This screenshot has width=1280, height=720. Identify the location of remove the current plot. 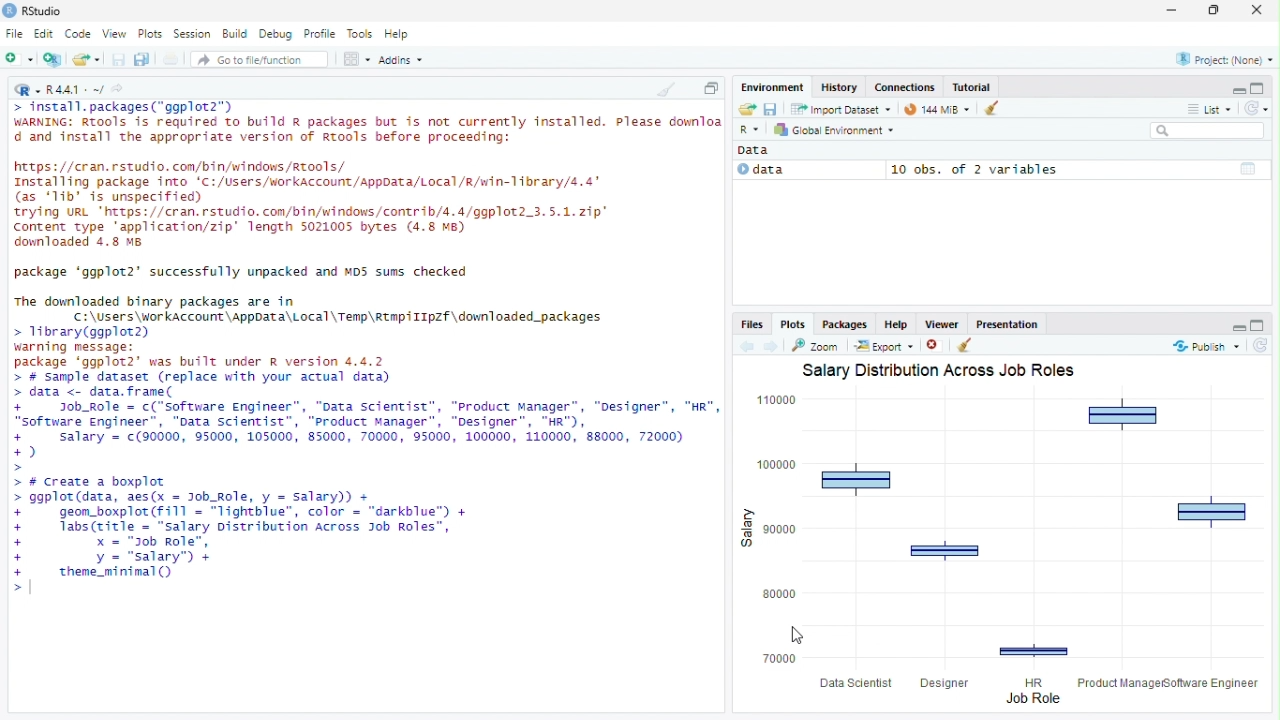
(937, 345).